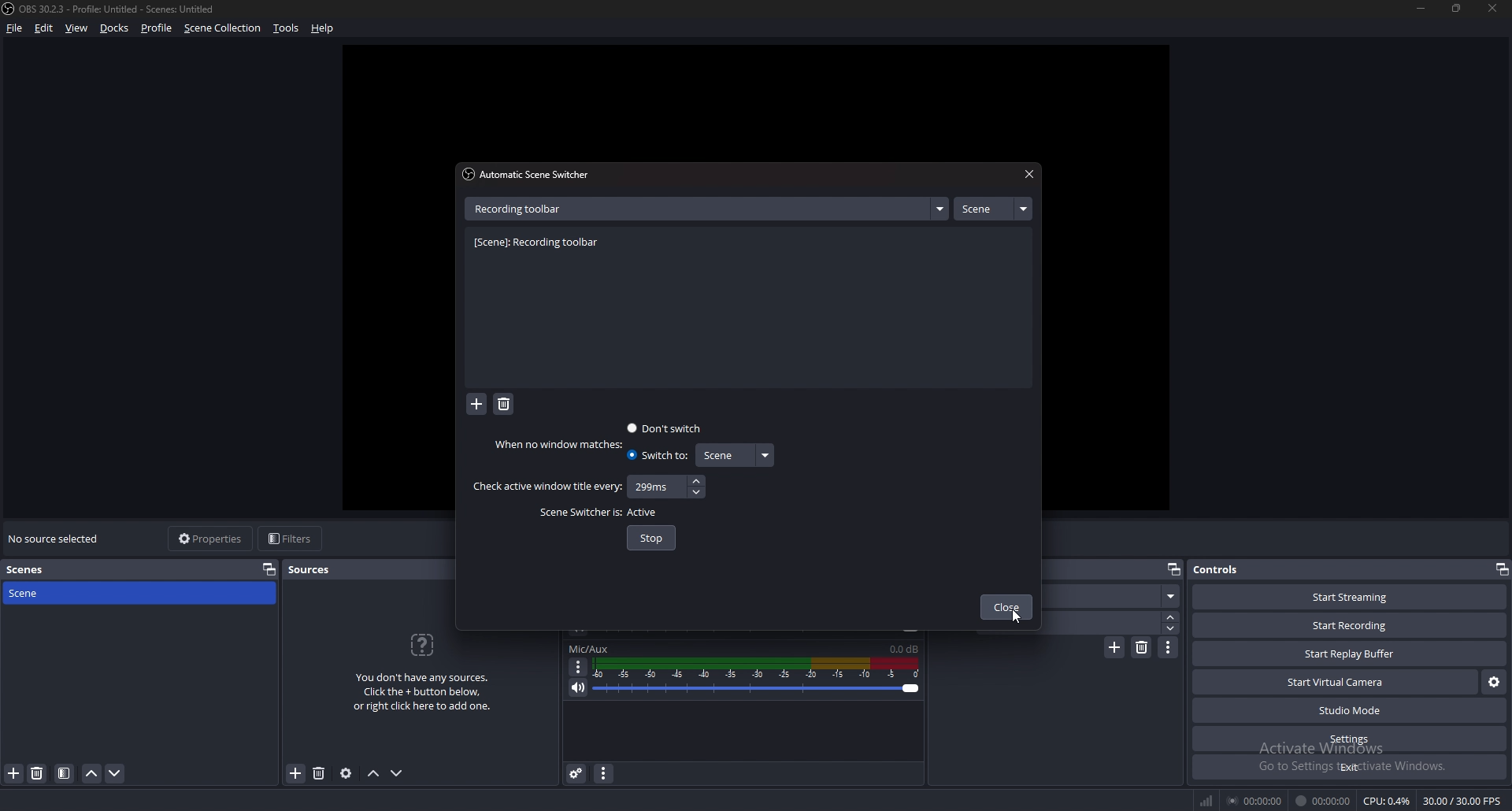 The width and height of the screenshot is (1512, 811). I want to click on add, so click(477, 405).